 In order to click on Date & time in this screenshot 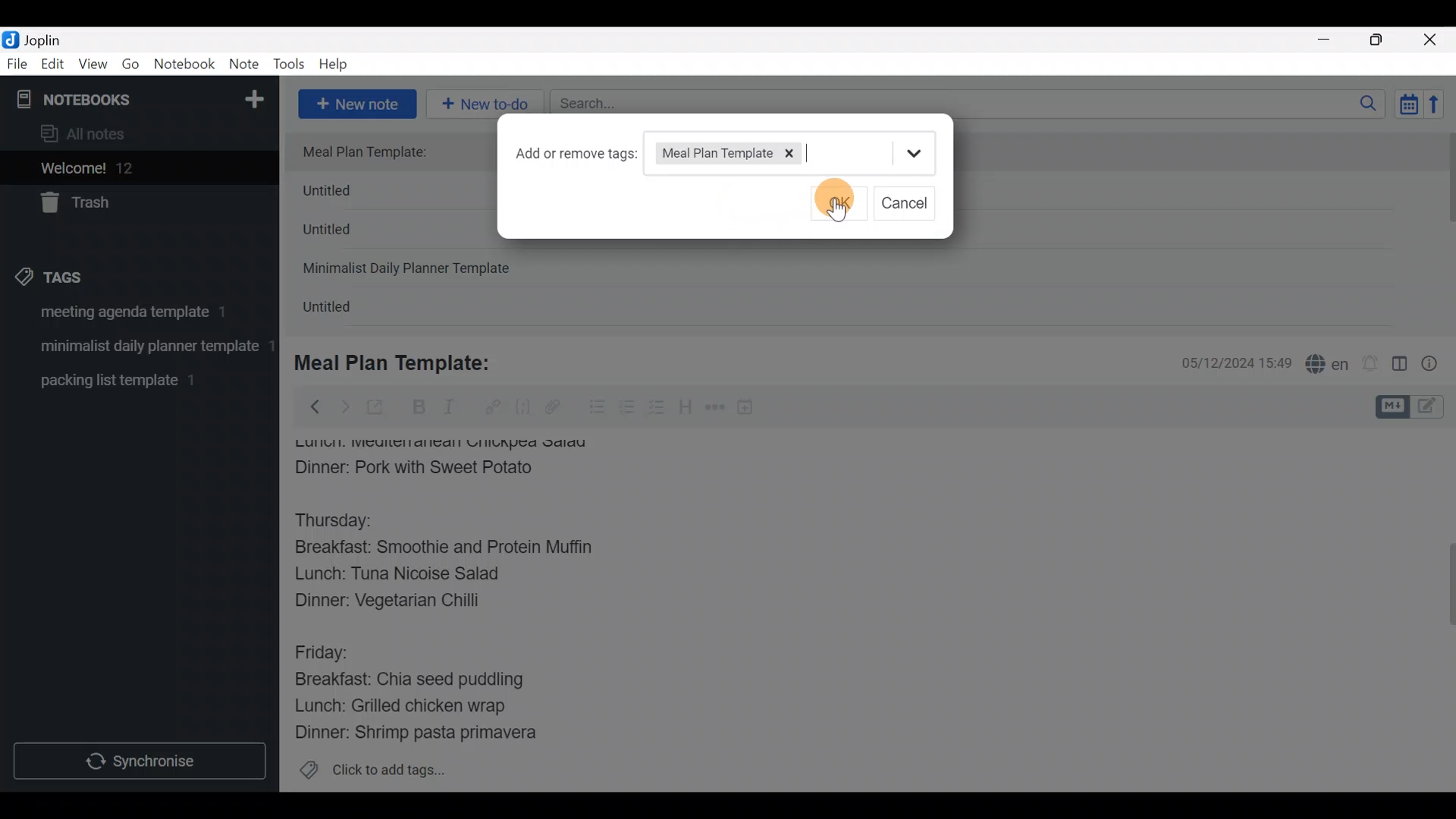, I will do `click(1225, 362)`.